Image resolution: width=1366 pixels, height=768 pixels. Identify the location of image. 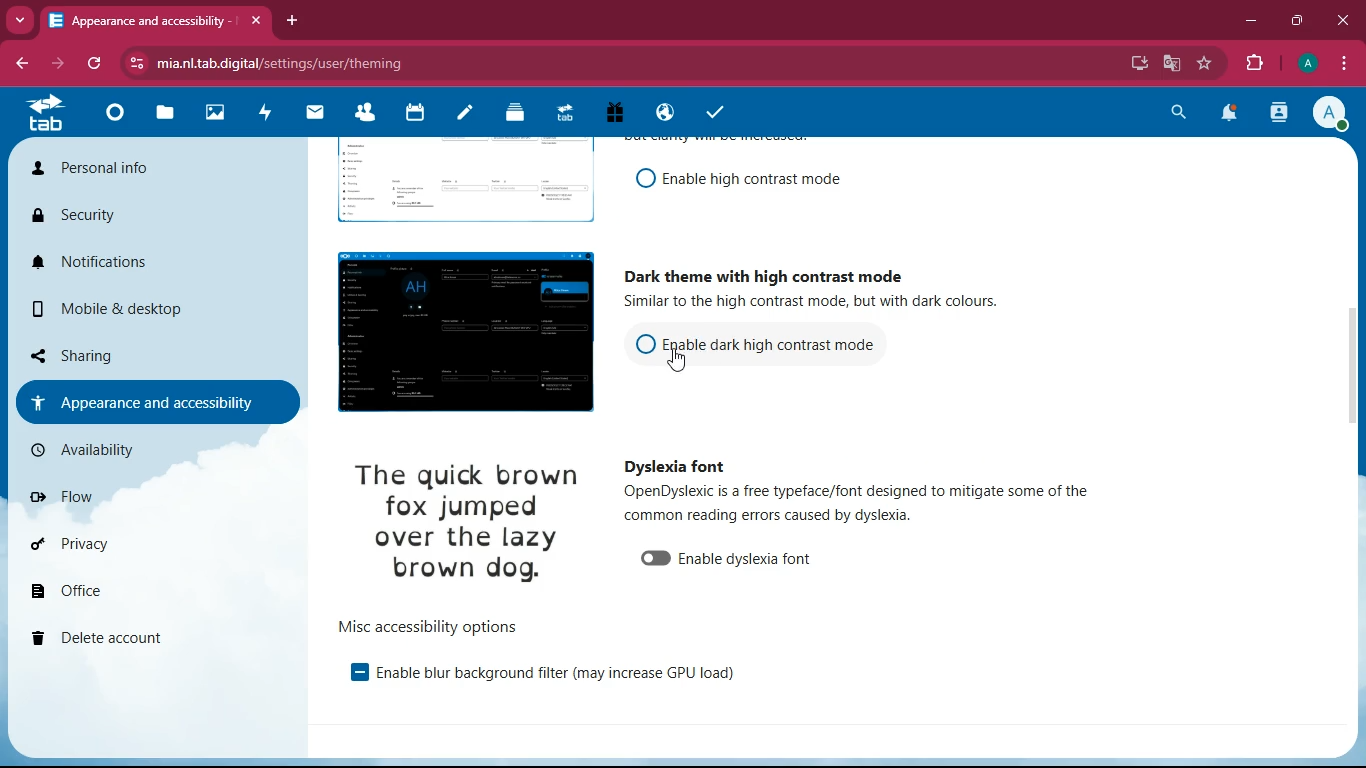
(458, 185).